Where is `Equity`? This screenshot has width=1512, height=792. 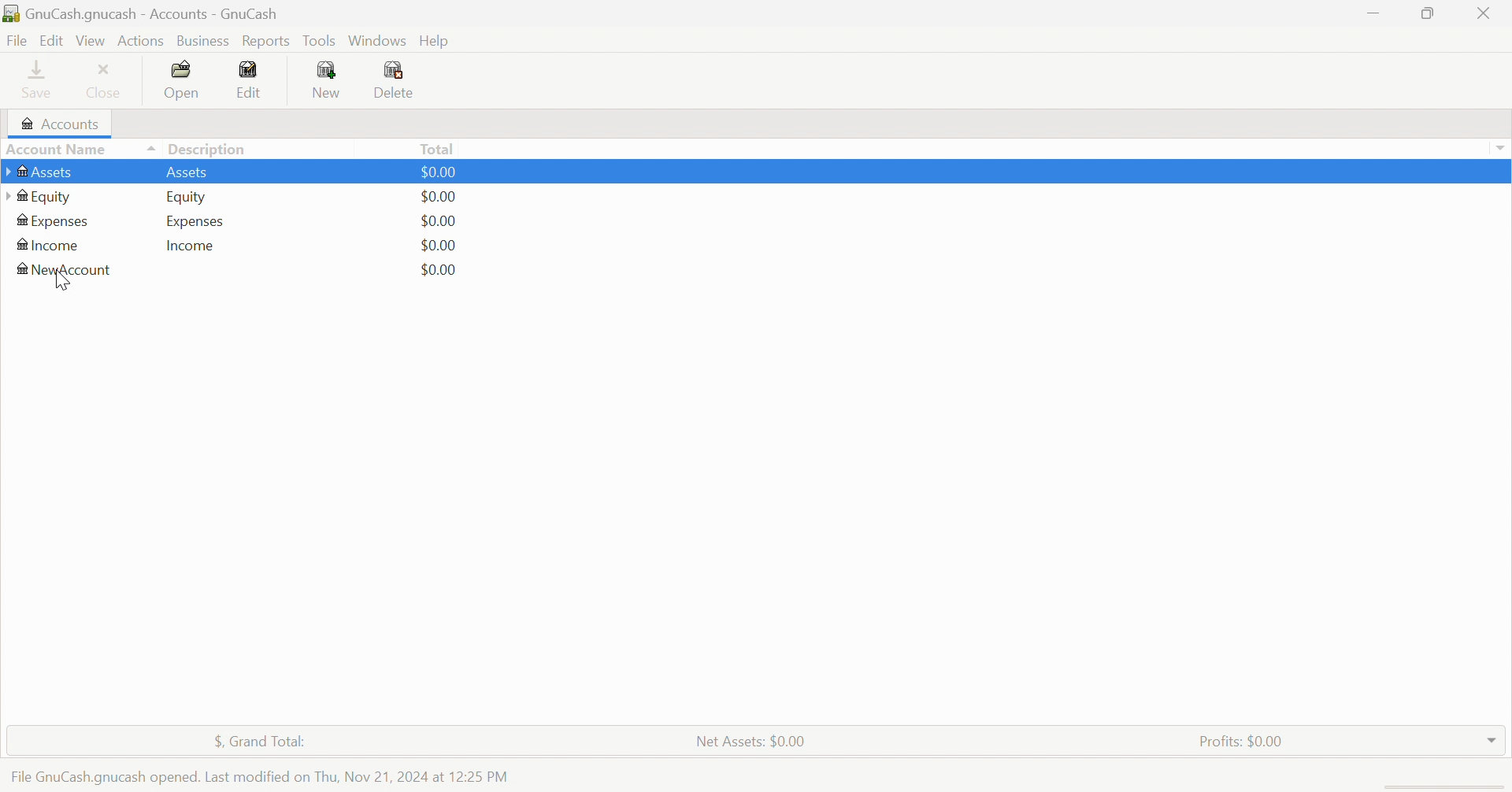
Equity is located at coordinates (188, 195).